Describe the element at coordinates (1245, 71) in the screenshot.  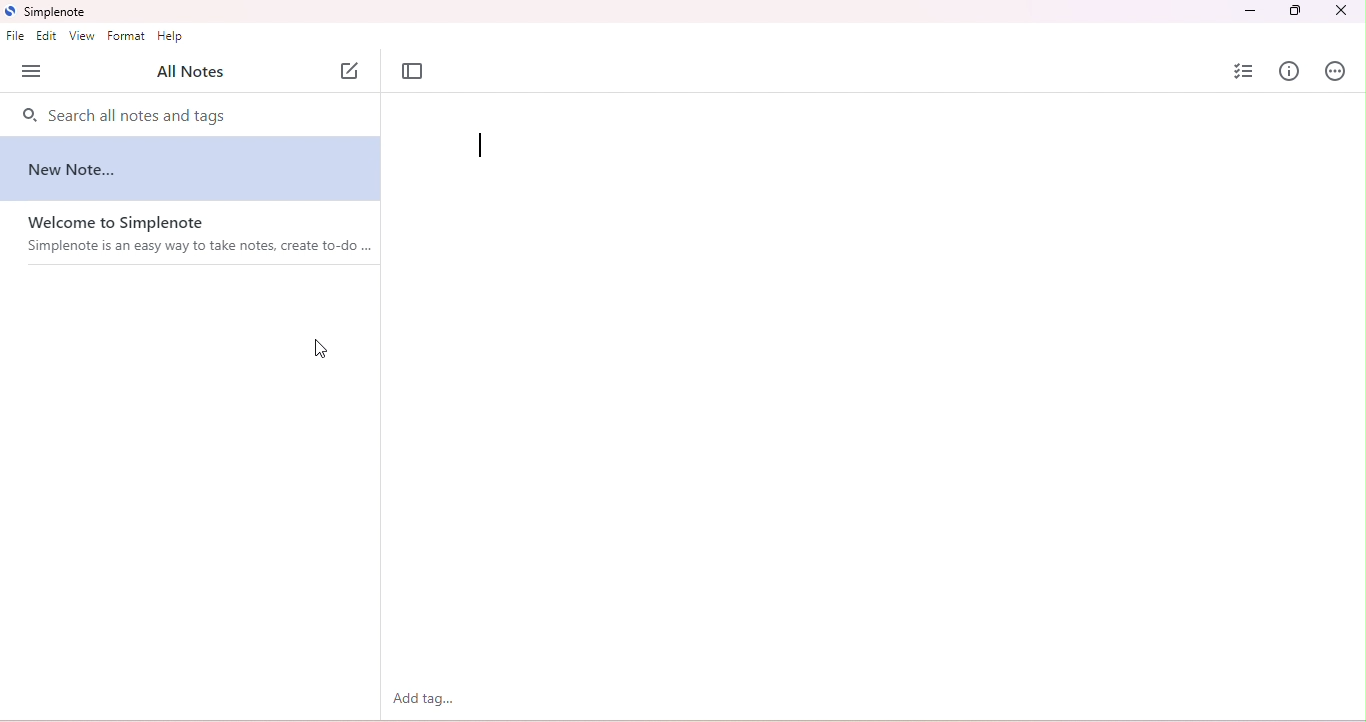
I see `insert checklist` at that location.